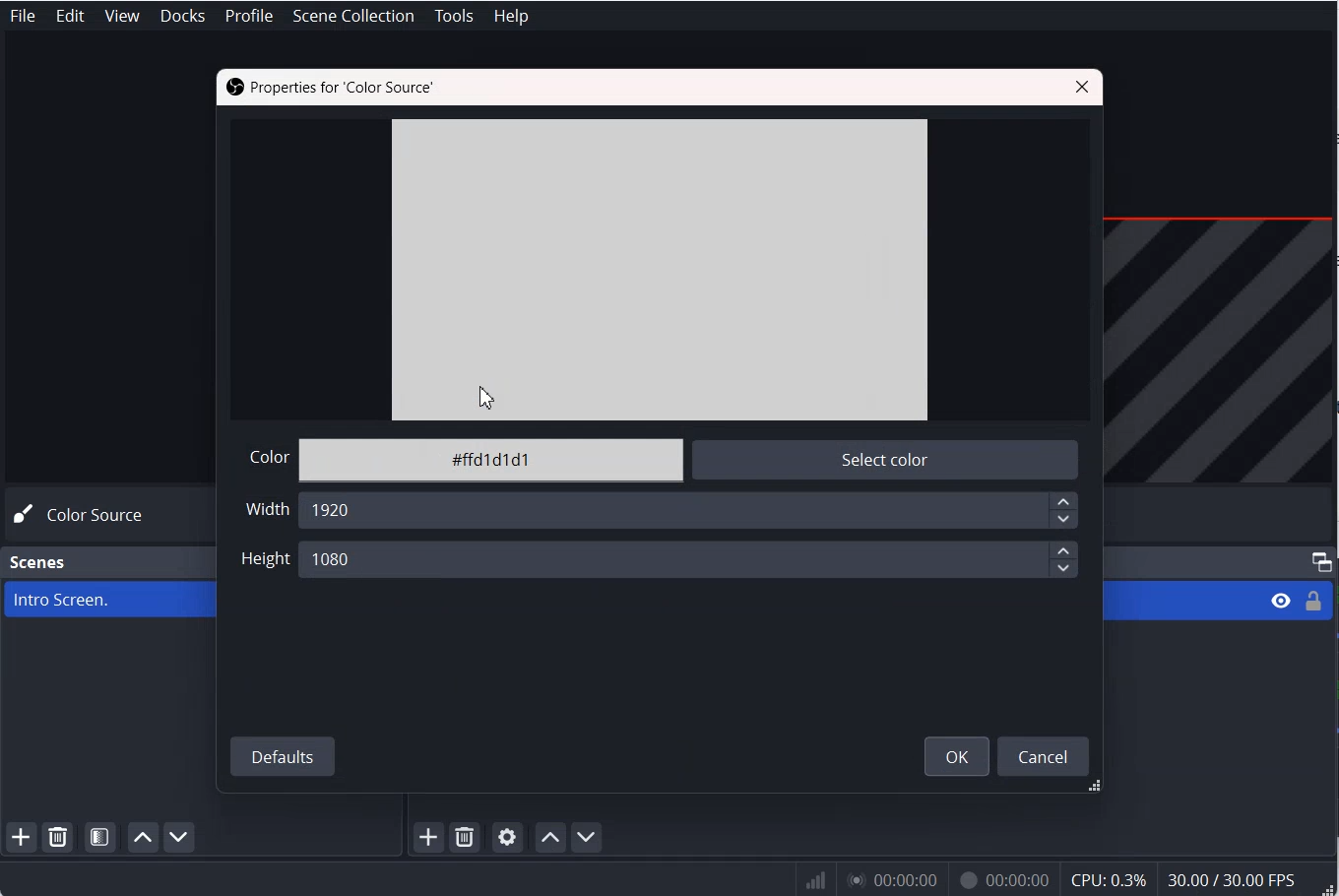 This screenshot has width=1339, height=896. What do you see at coordinates (817, 880) in the screenshot?
I see `WIfi` at bounding box center [817, 880].